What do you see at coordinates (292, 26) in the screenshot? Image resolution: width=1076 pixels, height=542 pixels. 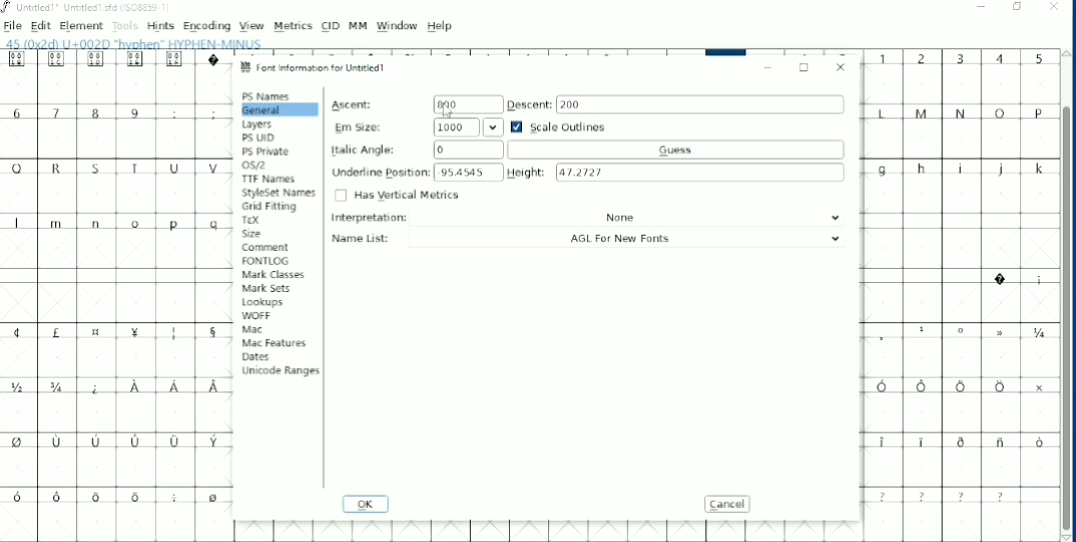 I see `Metrics` at bounding box center [292, 26].